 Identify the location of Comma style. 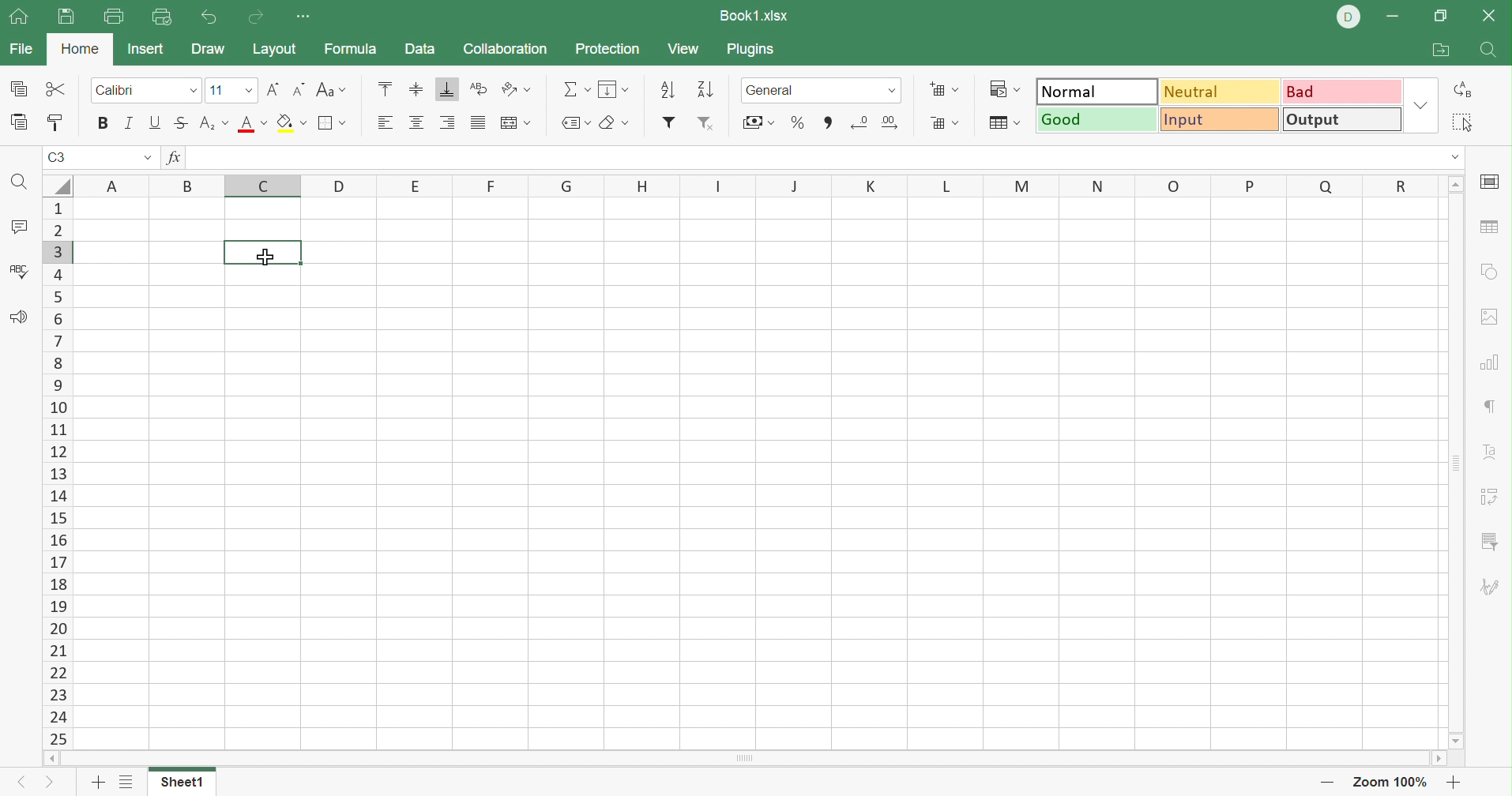
(828, 123).